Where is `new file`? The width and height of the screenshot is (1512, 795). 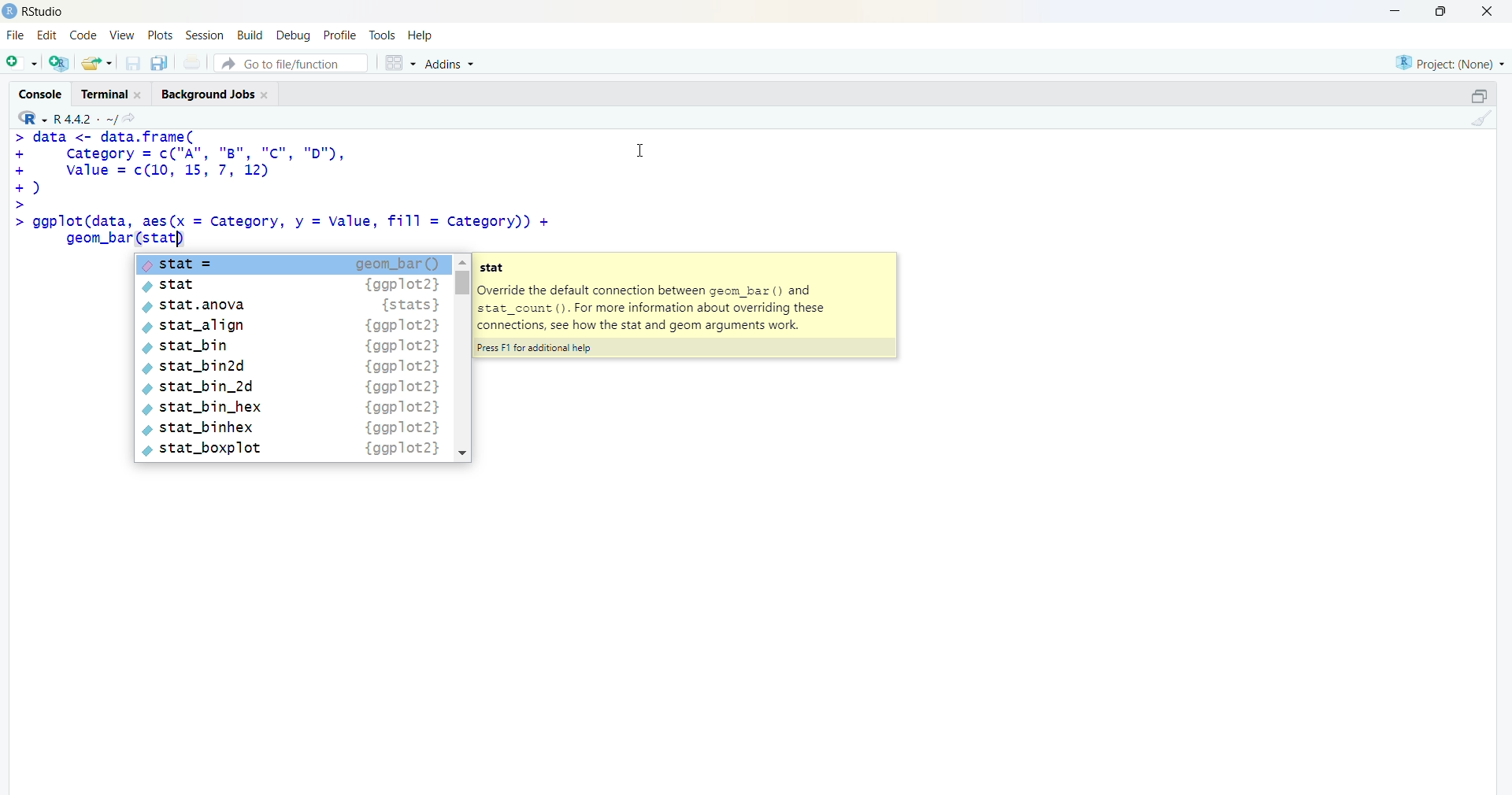 new file is located at coordinates (21, 61).